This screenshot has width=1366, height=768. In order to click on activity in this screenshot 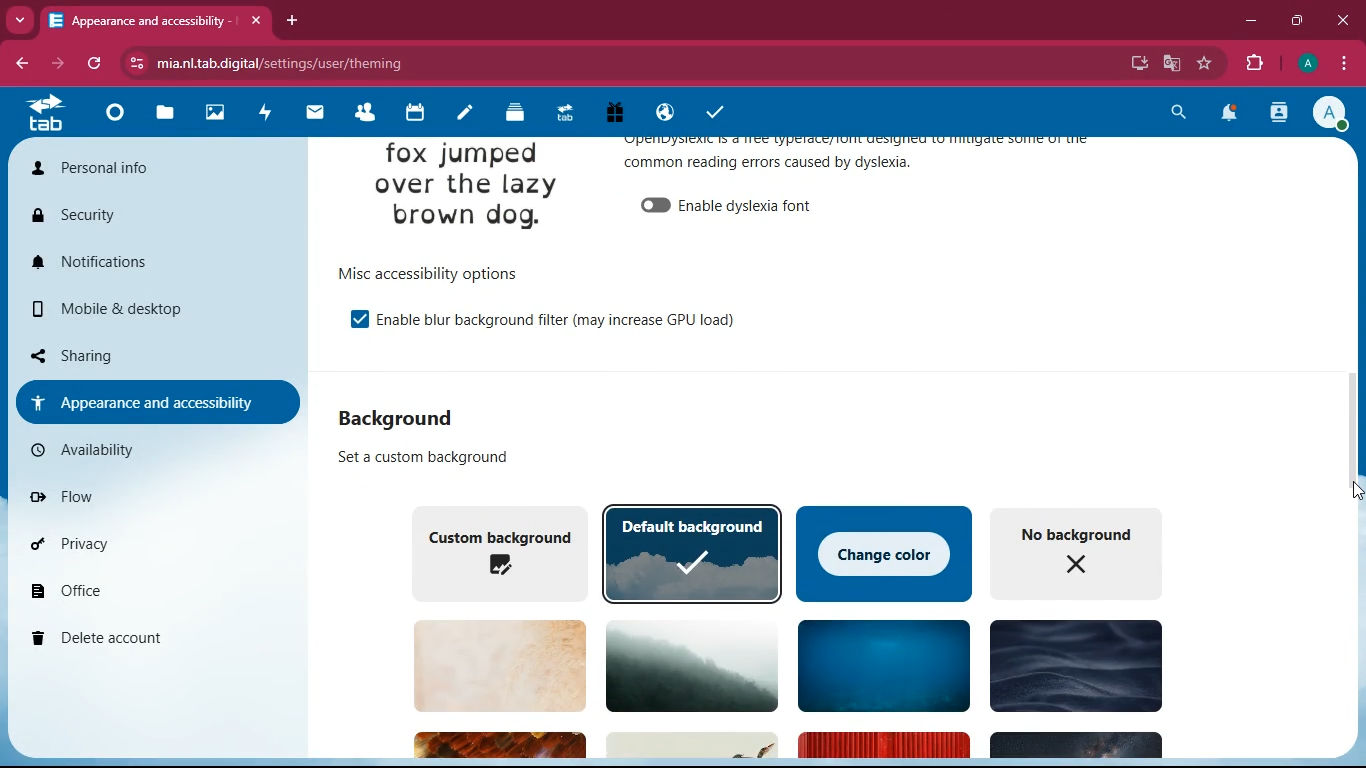, I will do `click(266, 114)`.